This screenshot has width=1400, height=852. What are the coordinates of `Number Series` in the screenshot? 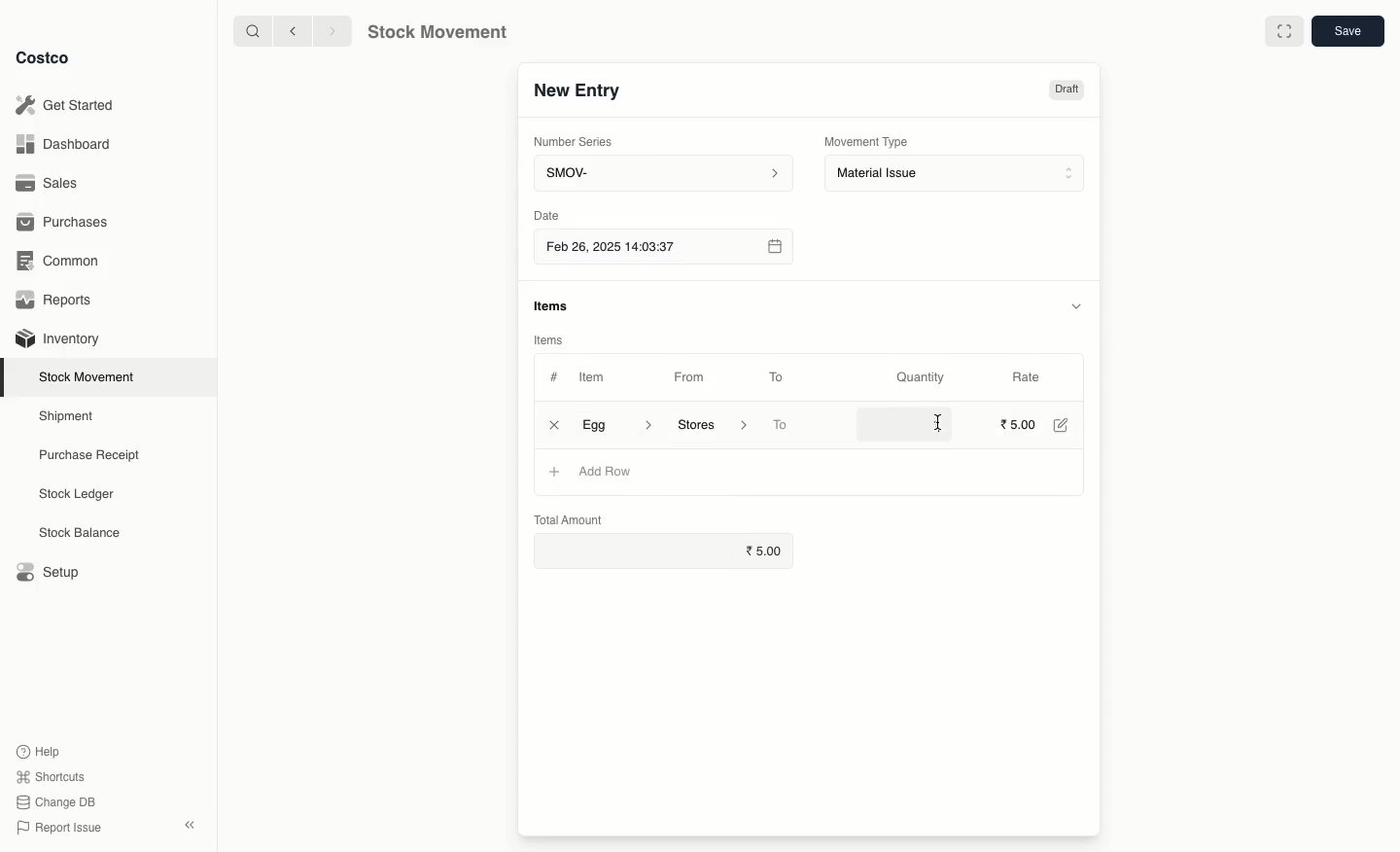 It's located at (580, 145).